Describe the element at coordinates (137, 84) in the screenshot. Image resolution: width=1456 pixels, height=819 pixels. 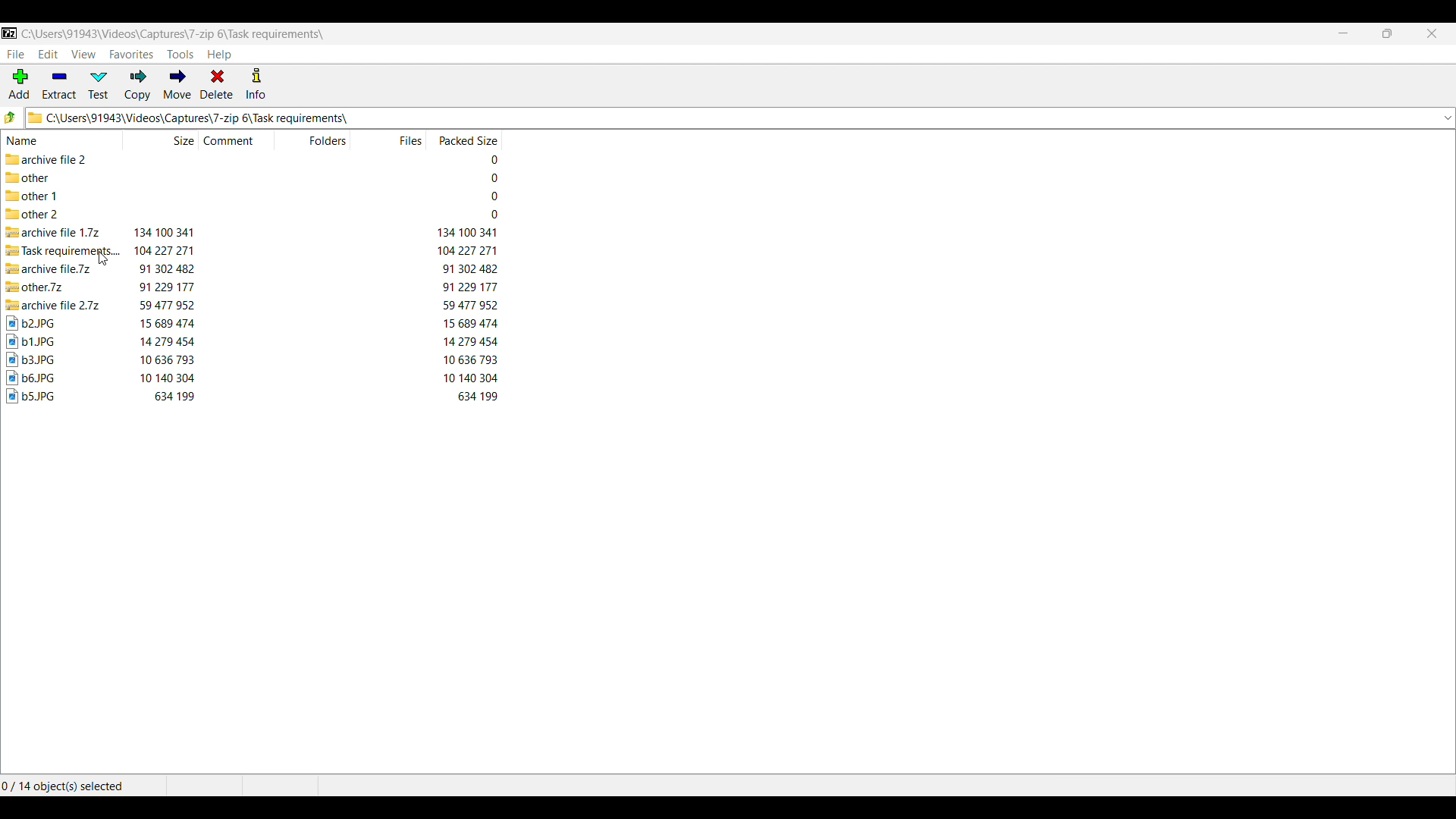
I see `Copy` at that location.